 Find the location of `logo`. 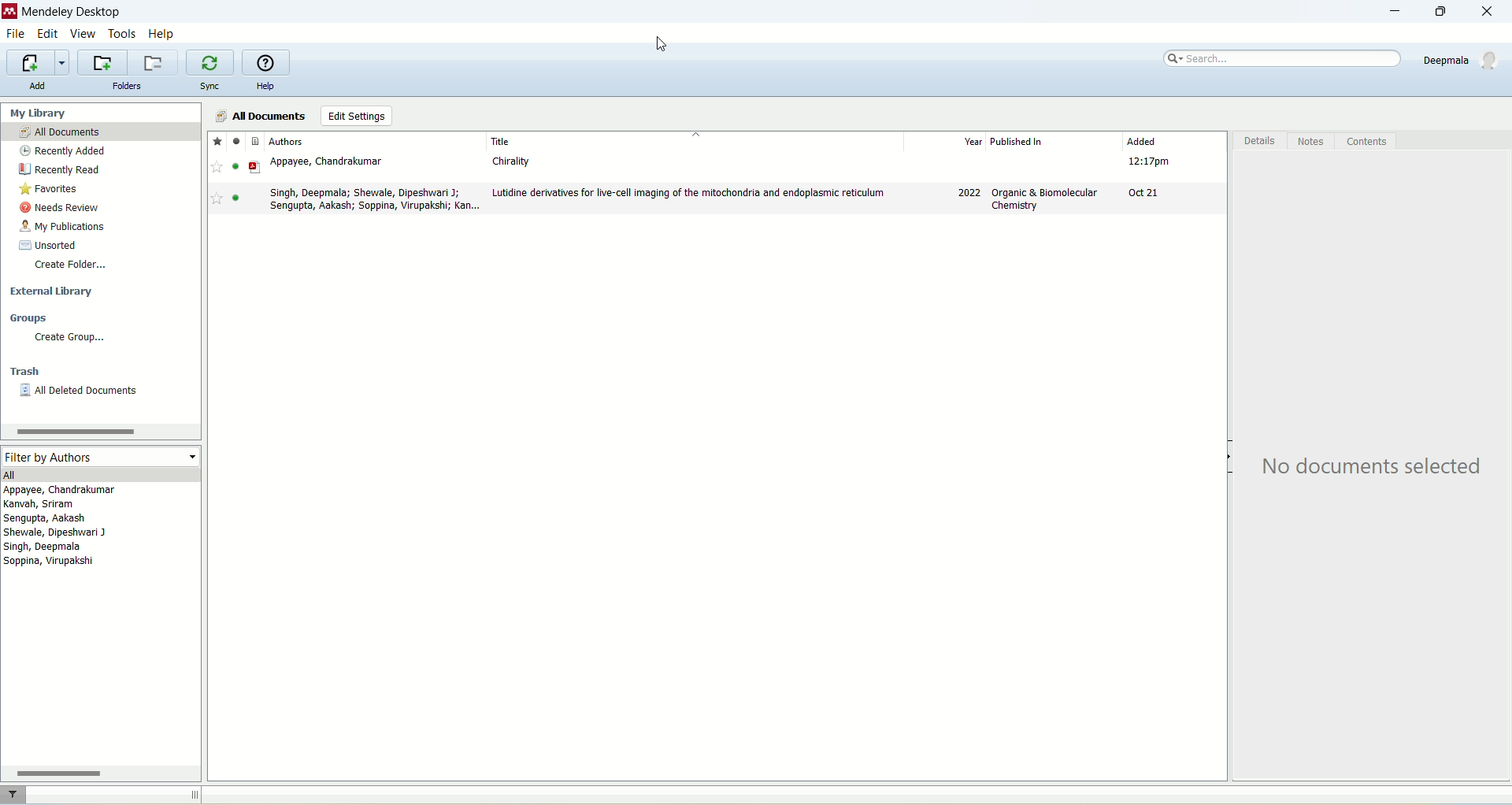

logo is located at coordinates (9, 12).